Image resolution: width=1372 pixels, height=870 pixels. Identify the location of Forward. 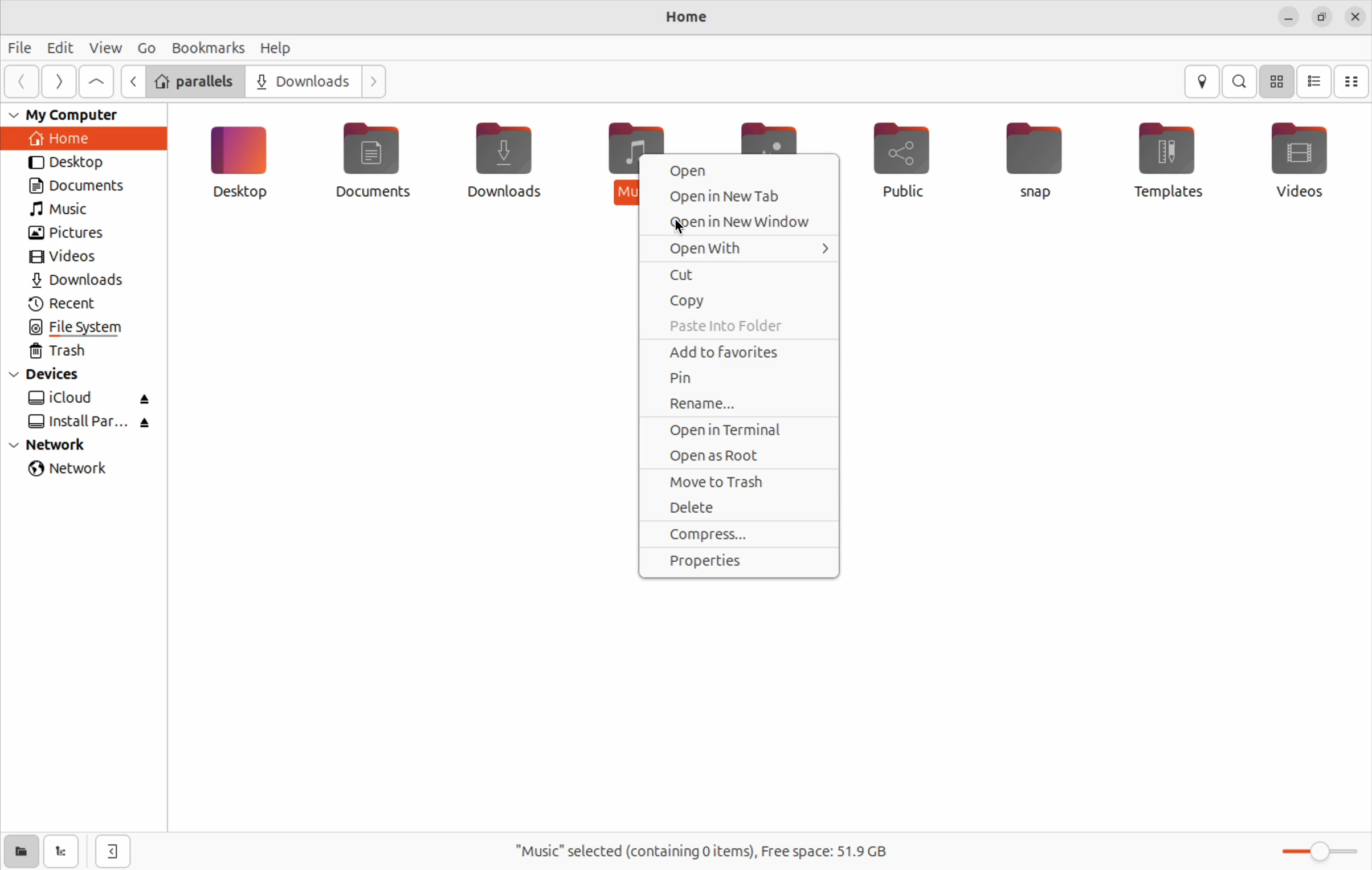
(377, 83).